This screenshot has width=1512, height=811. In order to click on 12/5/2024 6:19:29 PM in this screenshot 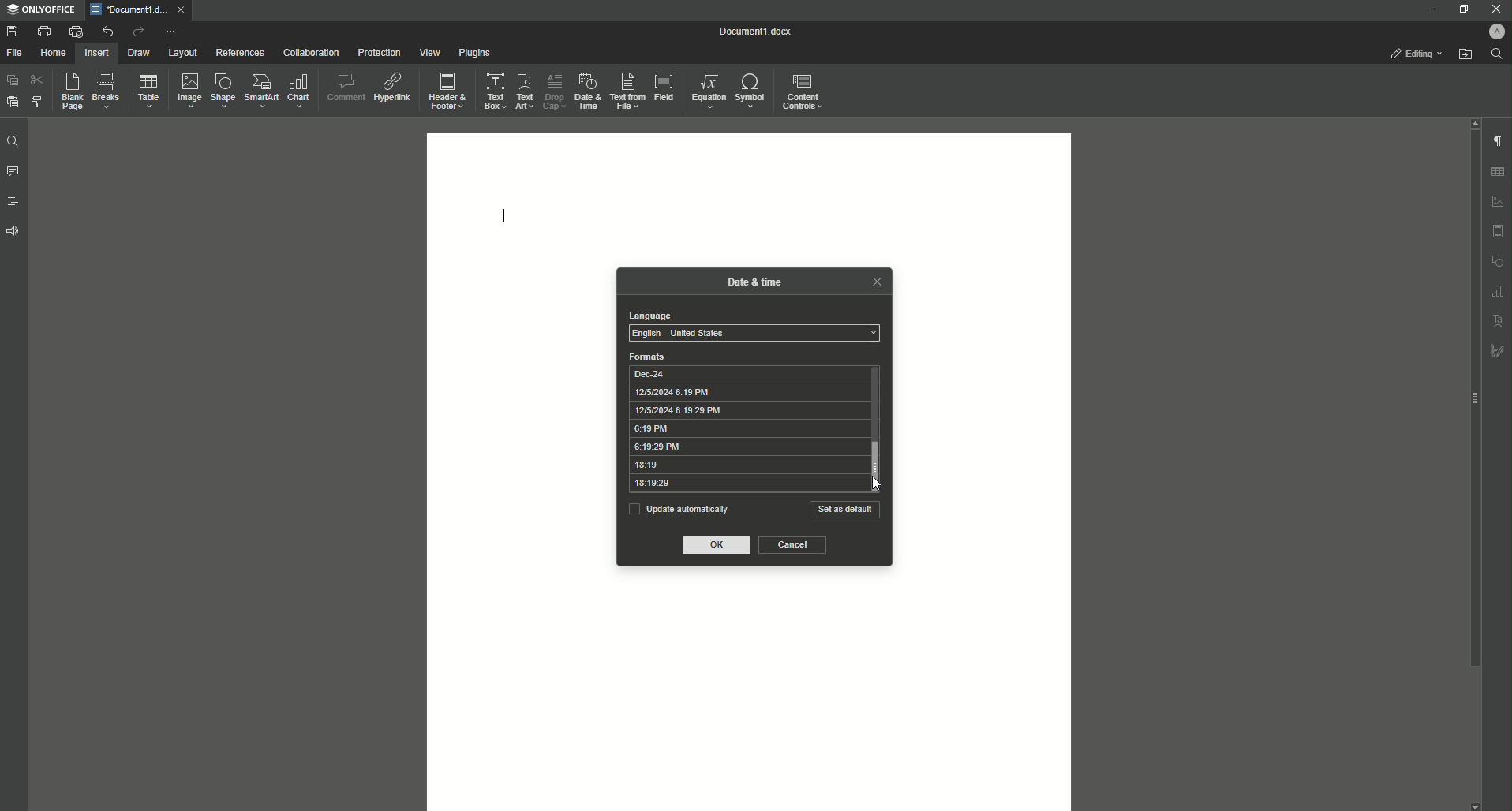, I will do `click(747, 410)`.